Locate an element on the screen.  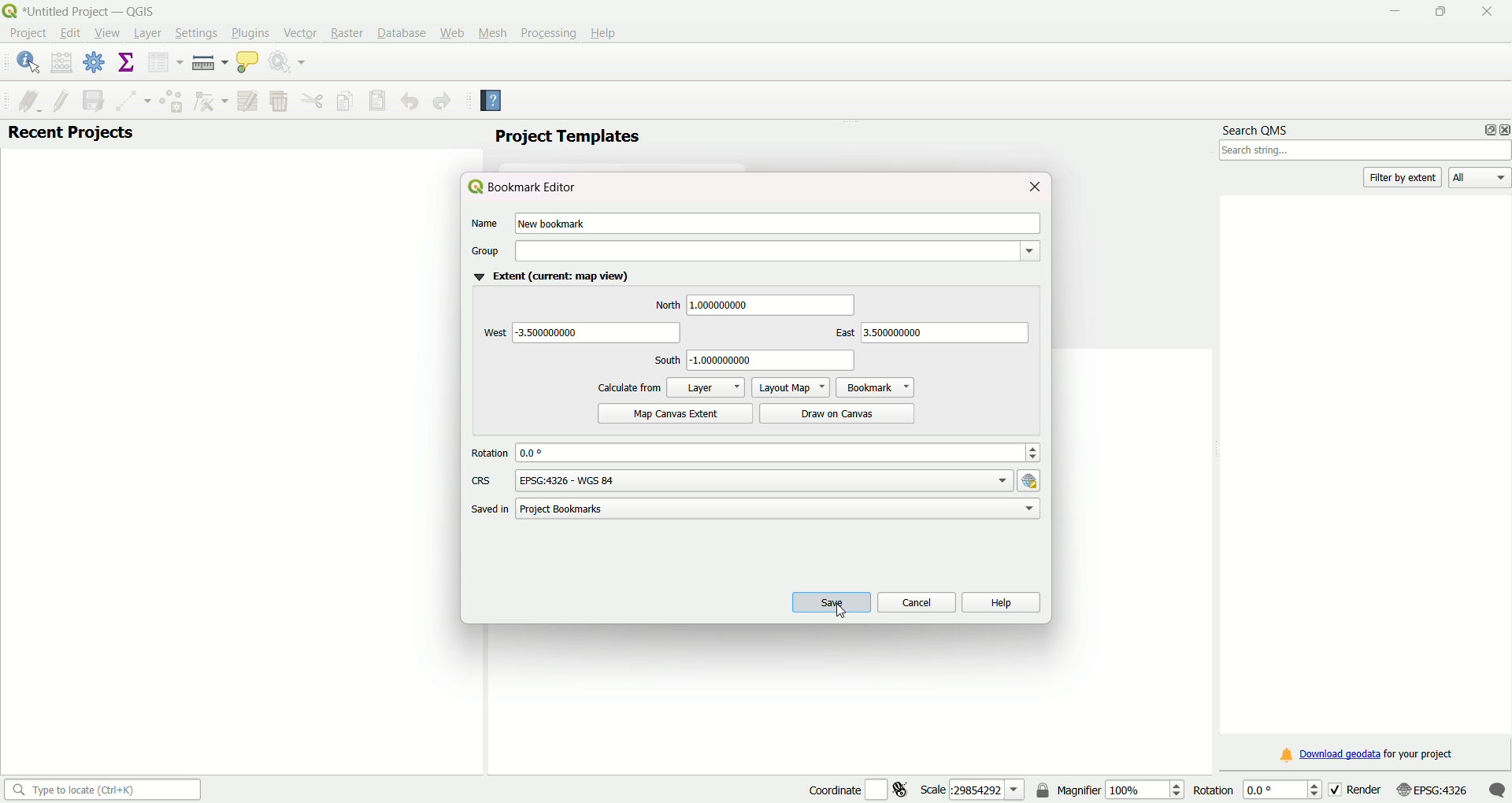
Help is located at coordinates (606, 31).